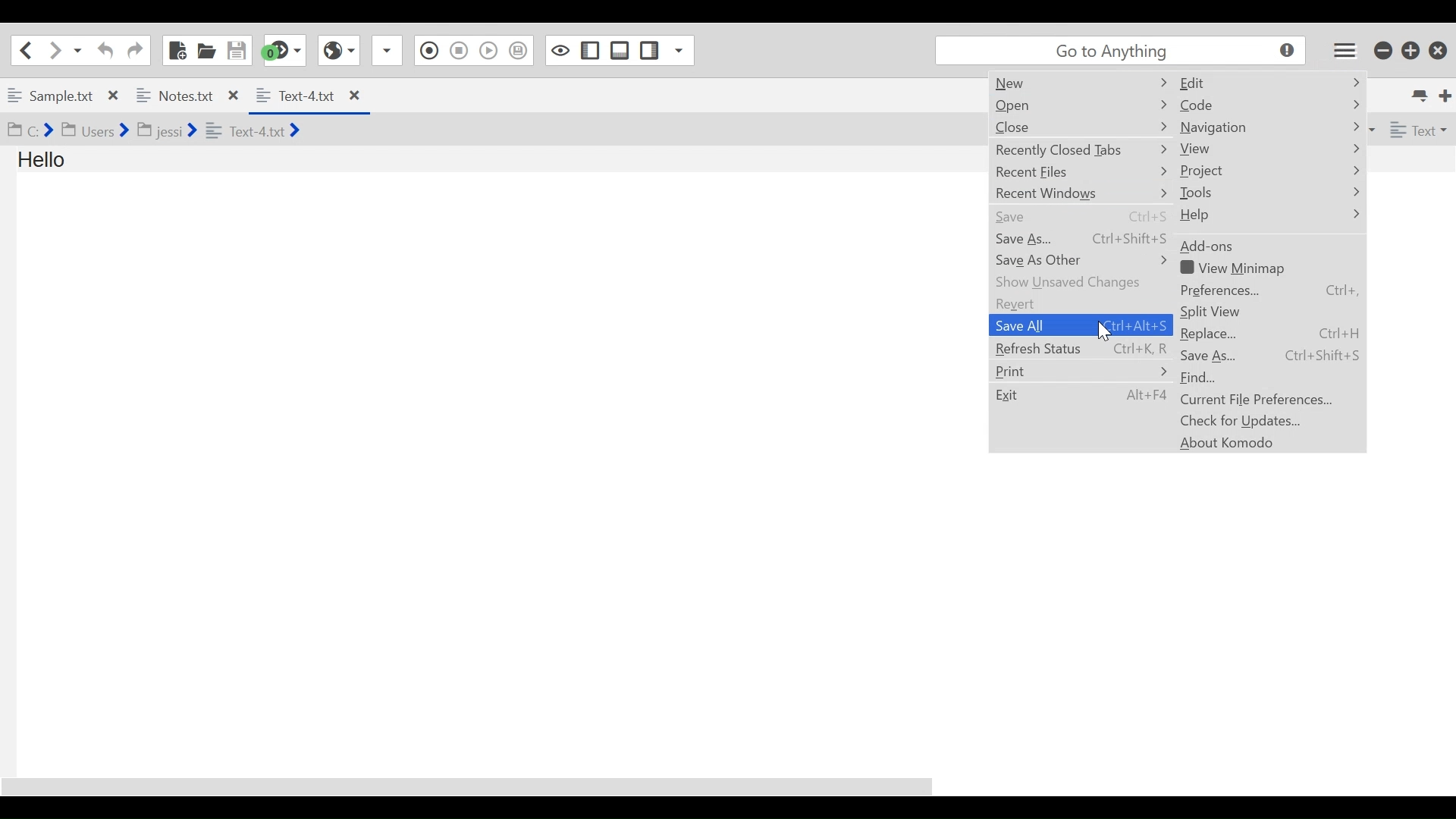 The height and width of the screenshot is (819, 1456). What do you see at coordinates (1105, 333) in the screenshot?
I see `cursor` at bounding box center [1105, 333].